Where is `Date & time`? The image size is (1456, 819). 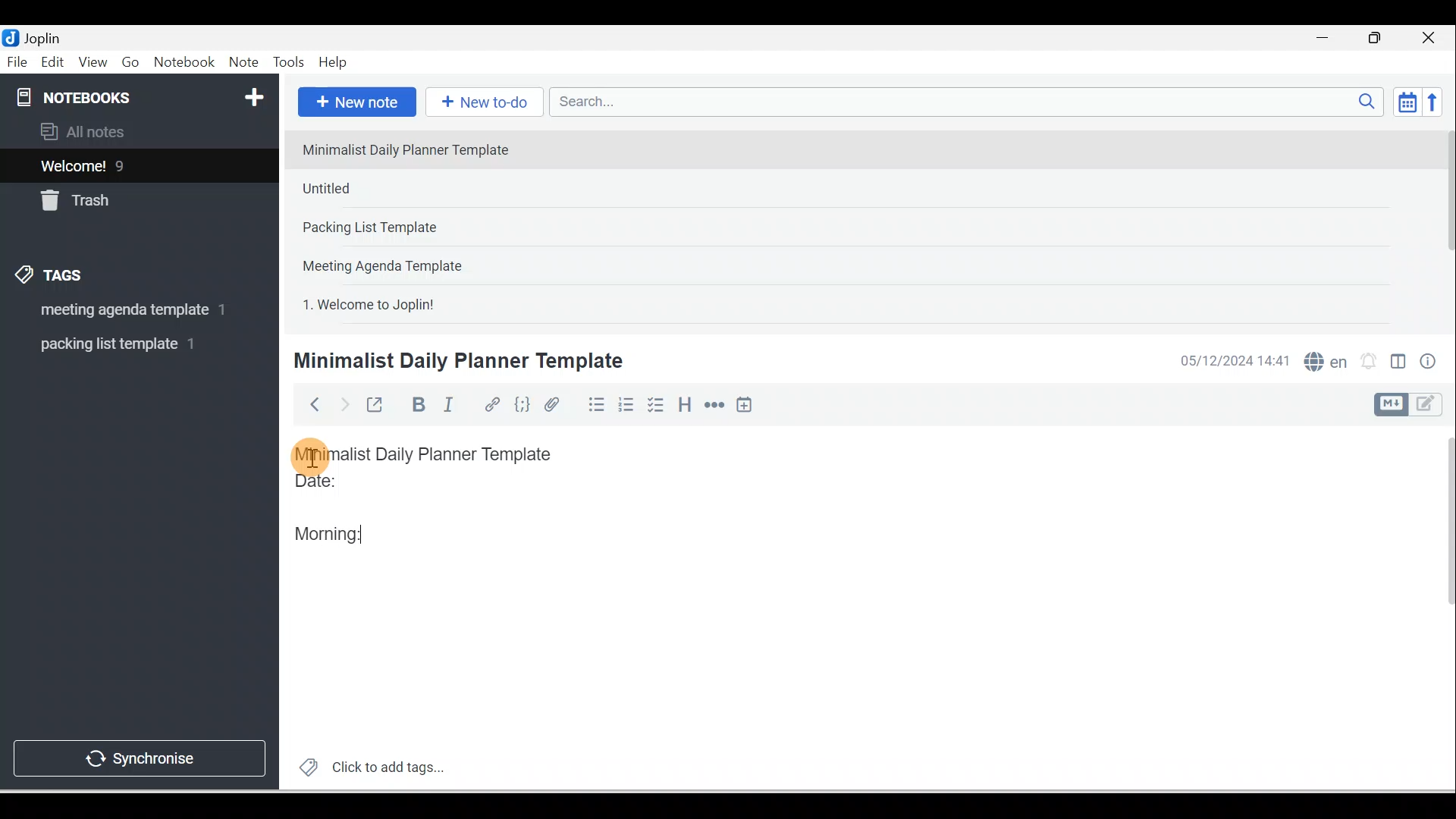 Date & time is located at coordinates (1232, 361).